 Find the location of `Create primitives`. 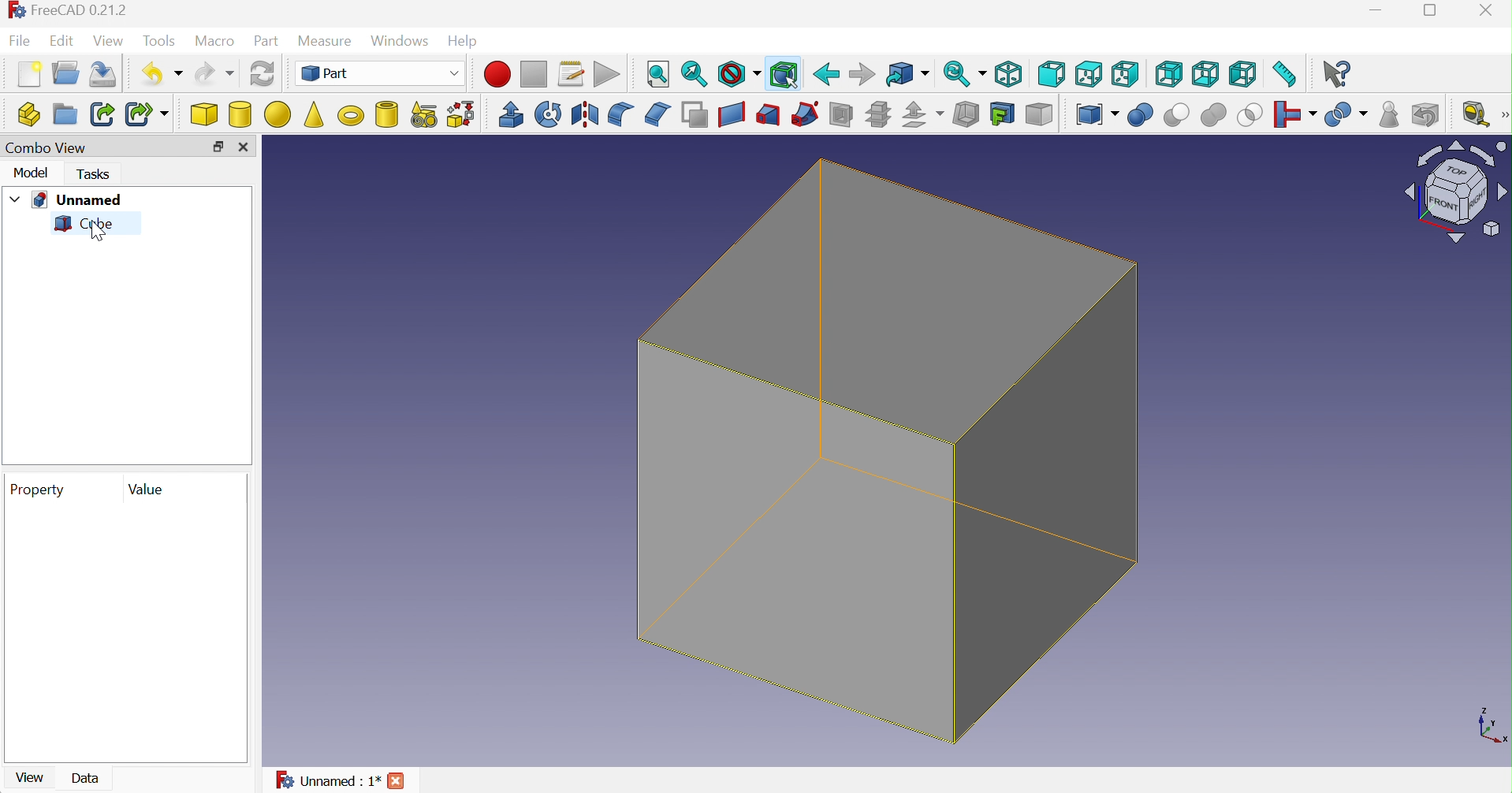

Create primitives is located at coordinates (426, 117).